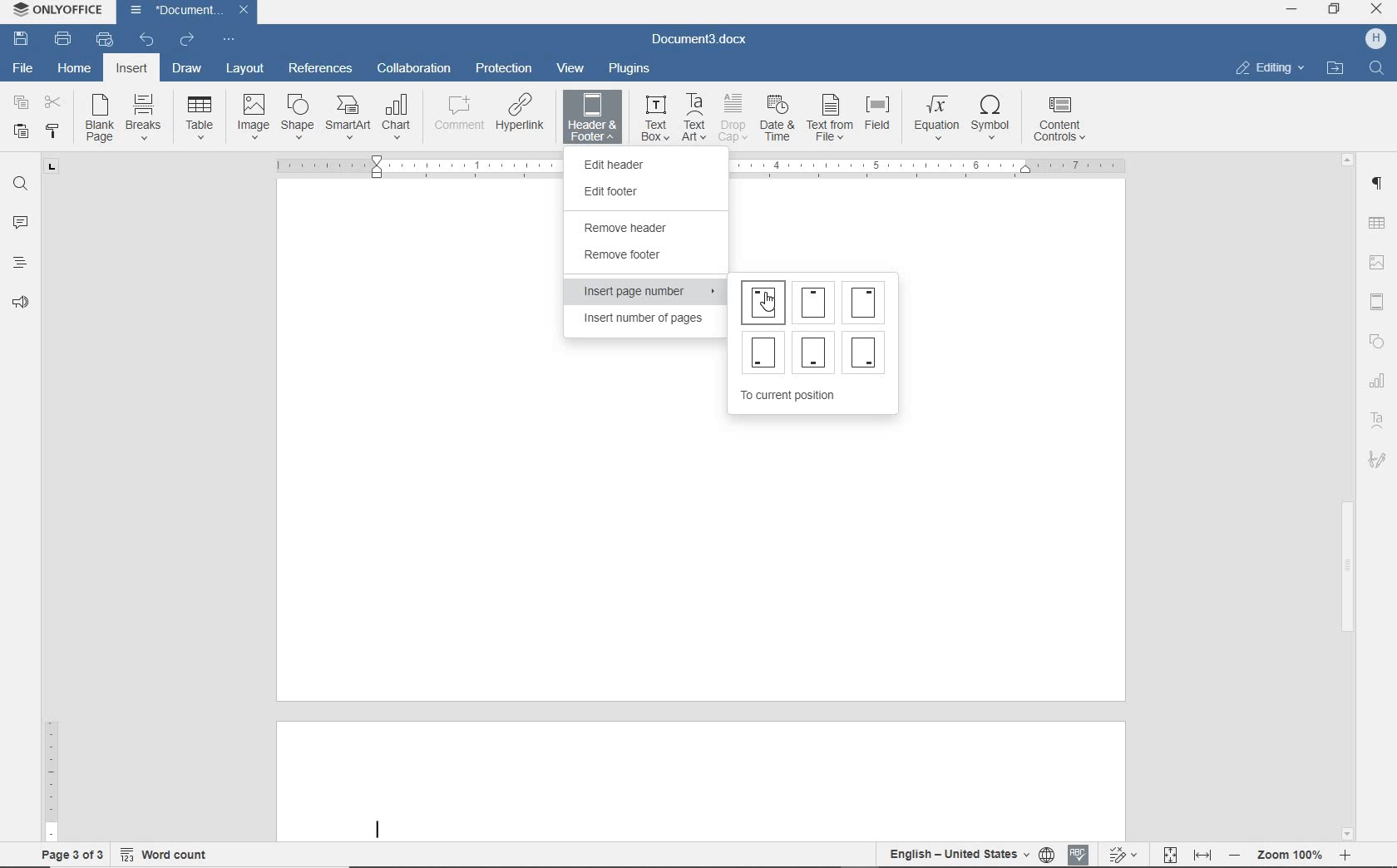  Describe the element at coordinates (1269, 69) in the screenshot. I see `EDITING` at that location.